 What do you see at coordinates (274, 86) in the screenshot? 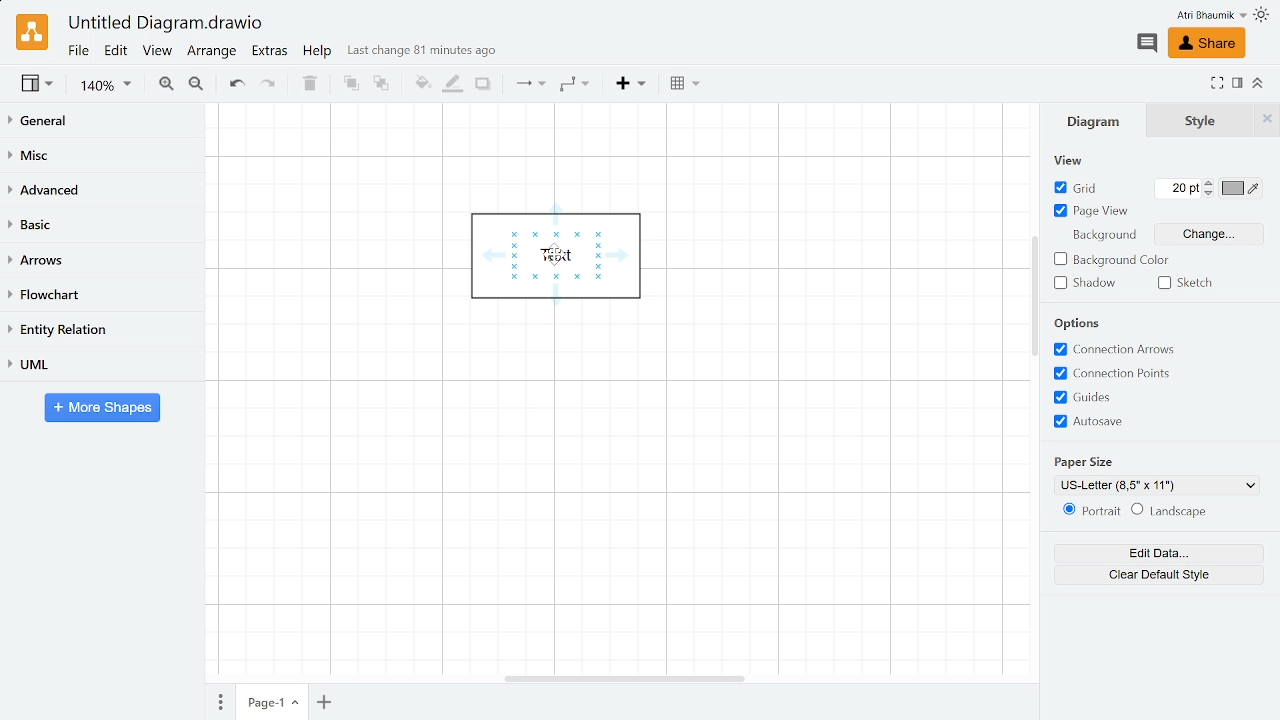
I see `Redo` at bounding box center [274, 86].